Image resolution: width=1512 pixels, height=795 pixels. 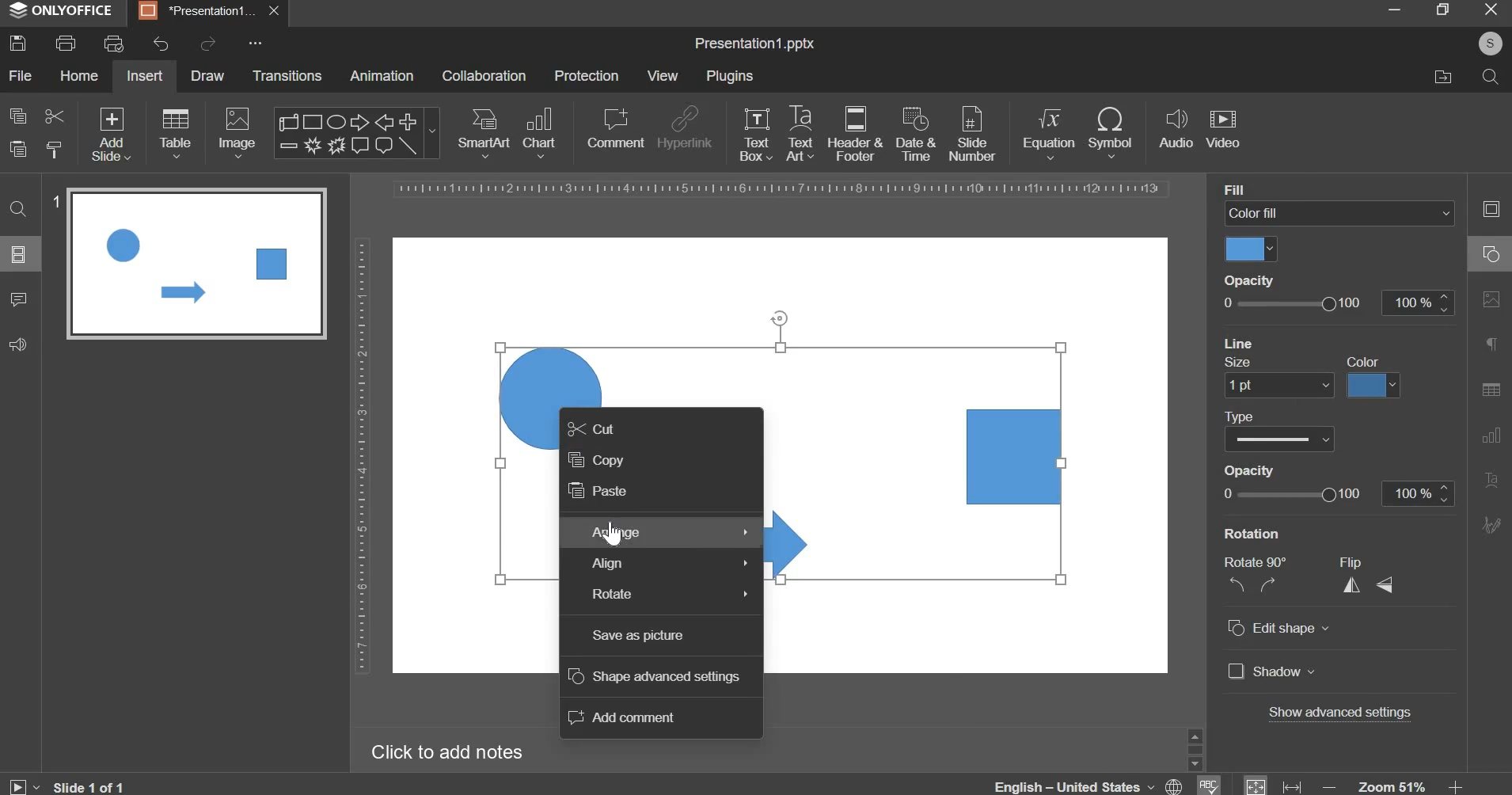 What do you see at coordinates (654, 676) in the screenshot?
I see `shape advanced settings` at bounding box center [654, 676].